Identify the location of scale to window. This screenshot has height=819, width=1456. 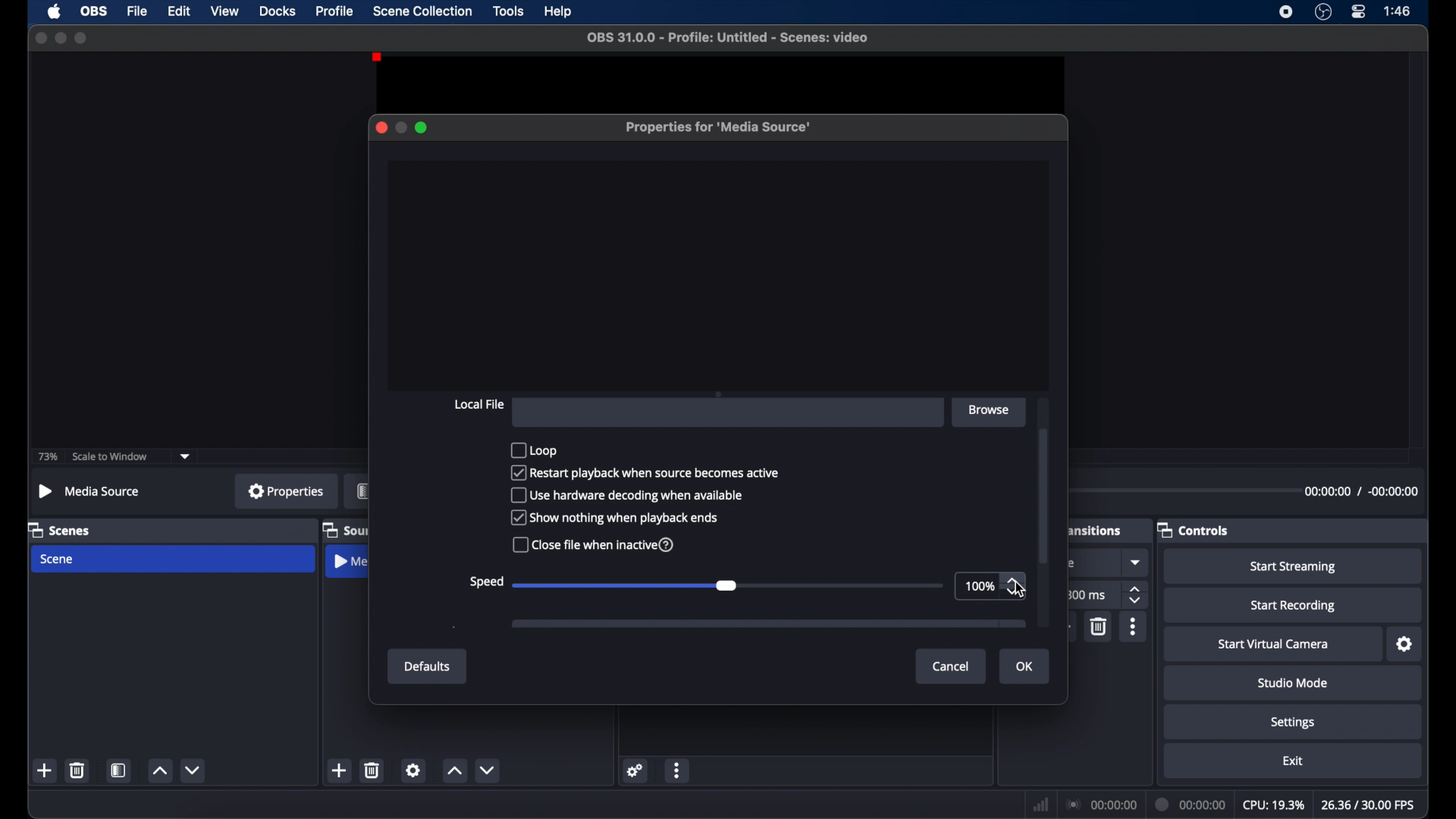
(110, 457).